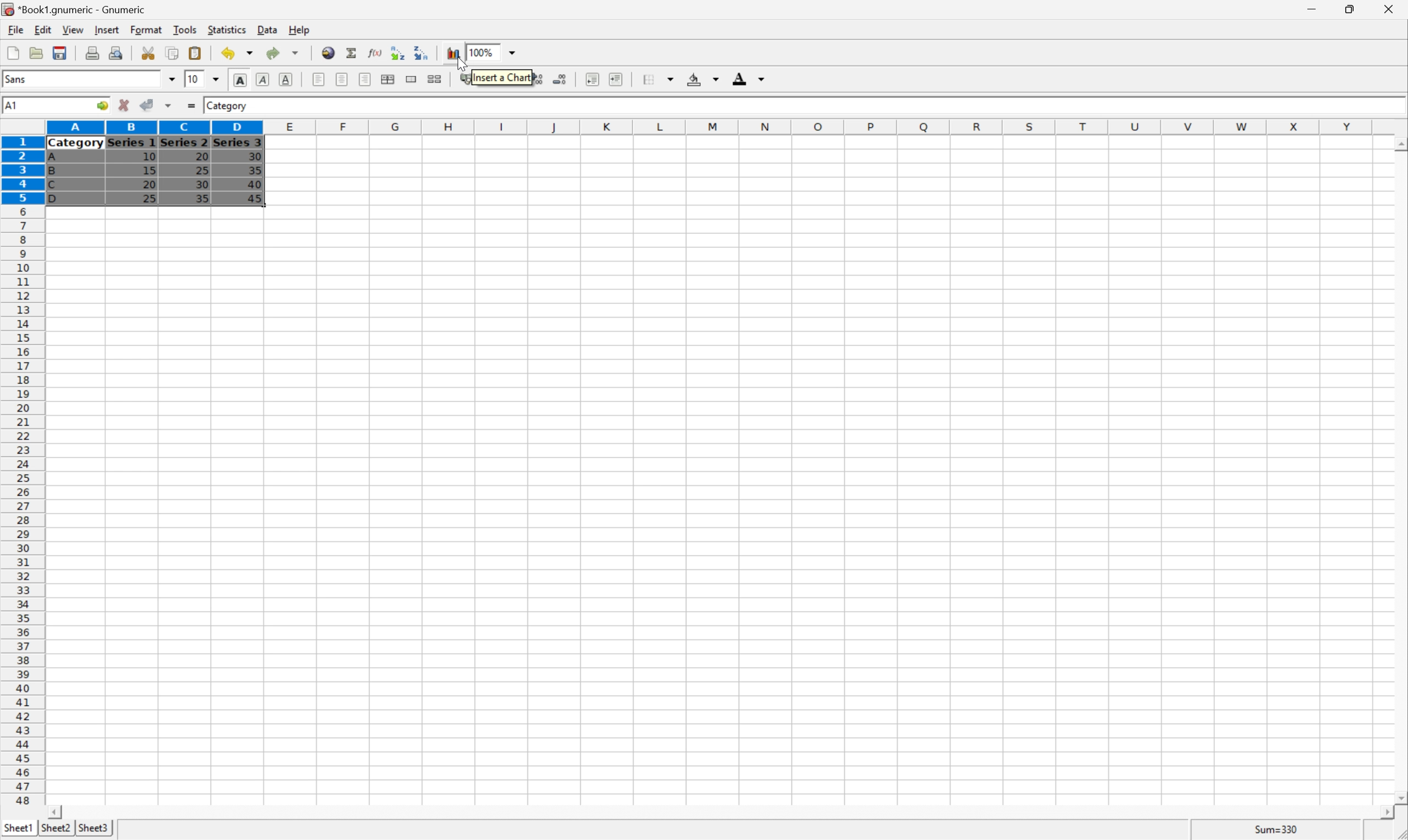 Image resolution: width=1408 pixels, height=840 pixels. What do you see at coordinates (1344, 9) in the screenshot?
I see `Restore Down` at bounding box center [1344, 9].